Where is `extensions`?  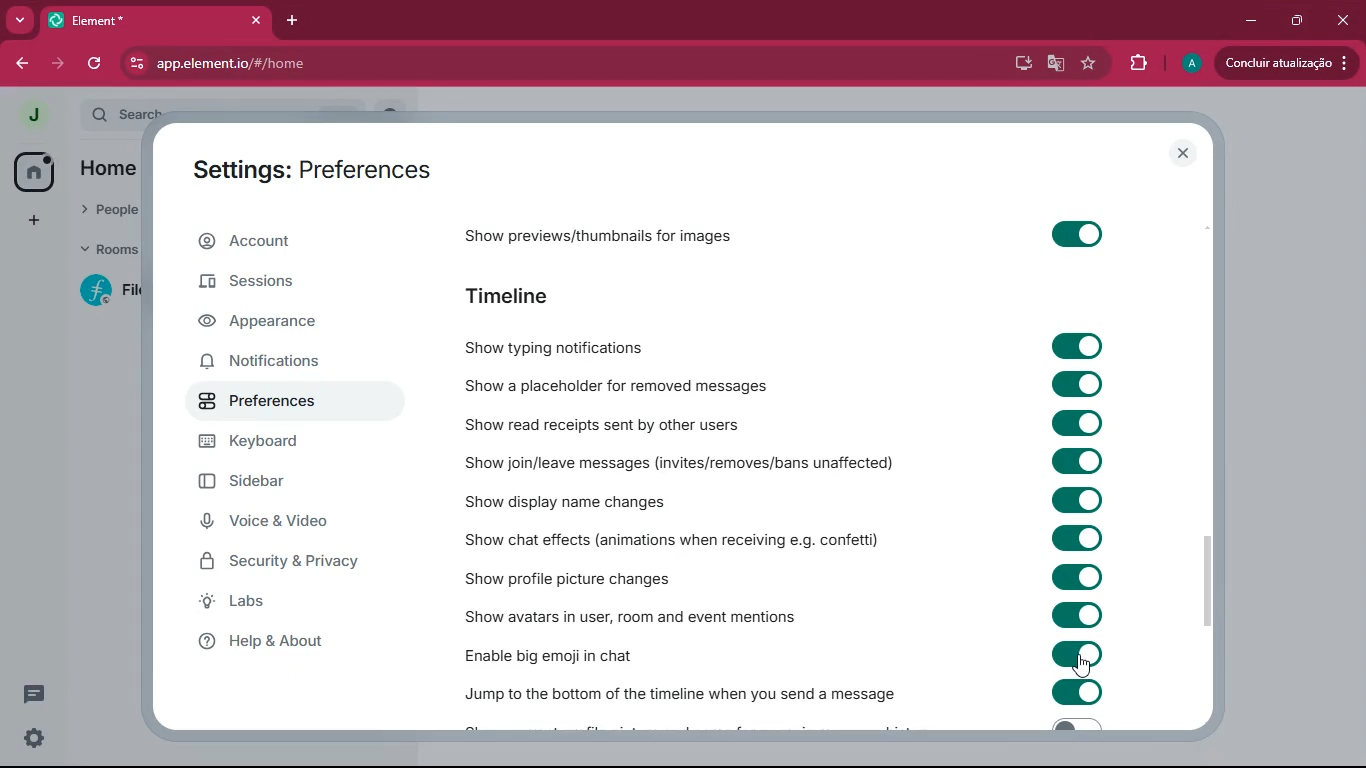 extensions is located at coordinates (1137, 61).